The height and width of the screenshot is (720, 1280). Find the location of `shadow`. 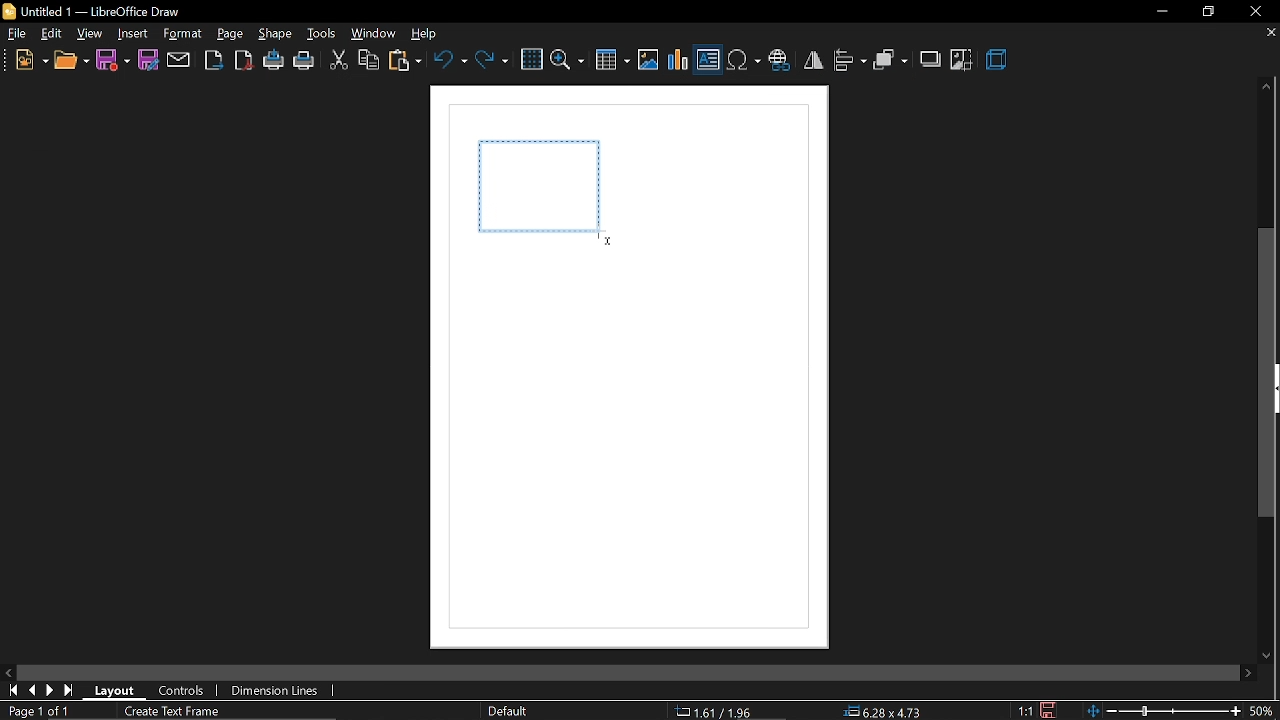

shadow is located at coordinates (932, 58).